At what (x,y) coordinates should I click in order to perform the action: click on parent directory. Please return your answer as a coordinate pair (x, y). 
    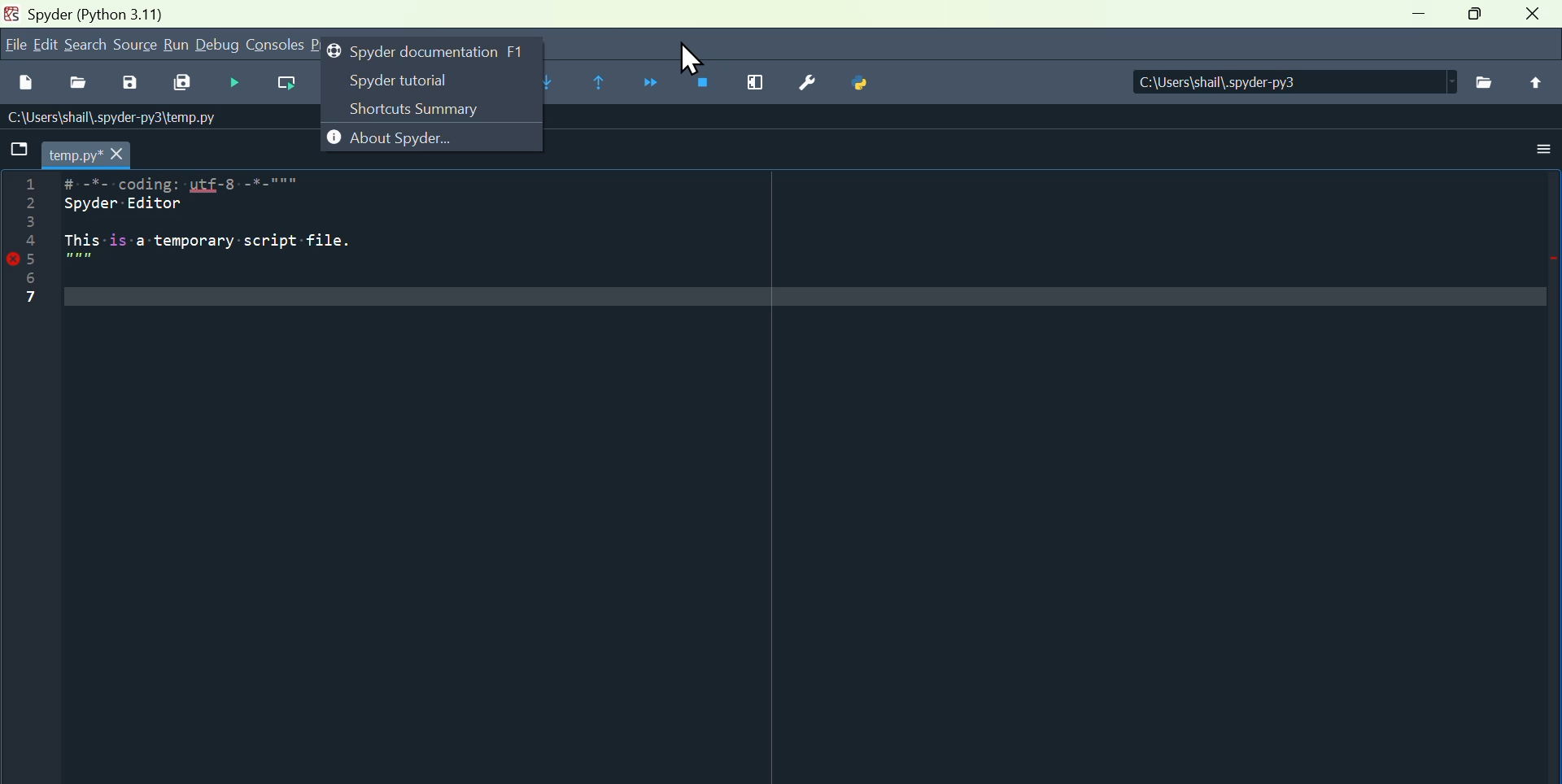
    Looking at the image, I should click on (1537, 83).